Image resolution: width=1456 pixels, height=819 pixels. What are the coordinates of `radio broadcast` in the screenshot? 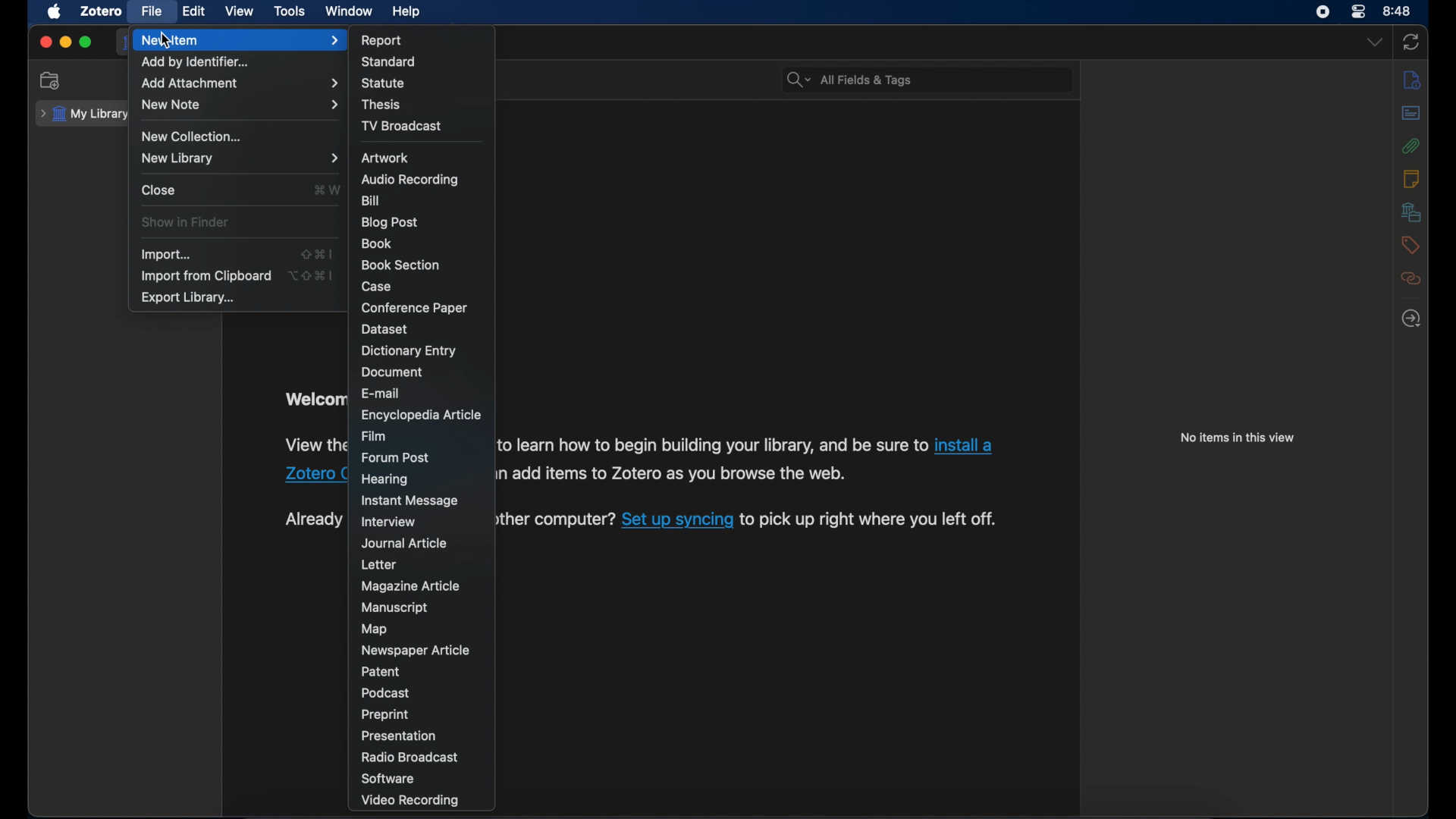 It's located at (411, 757).